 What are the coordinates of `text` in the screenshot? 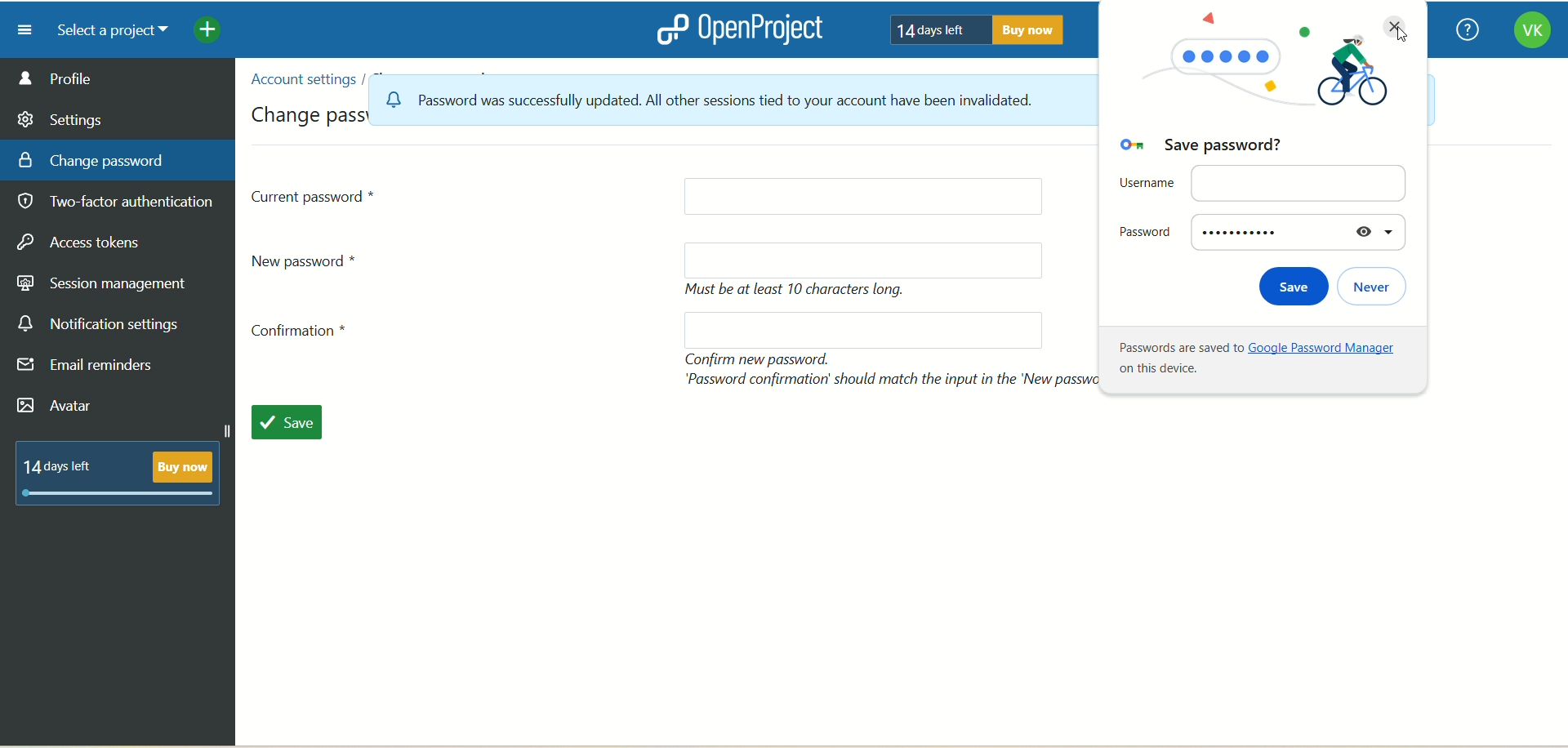 It's located at (801, 291).